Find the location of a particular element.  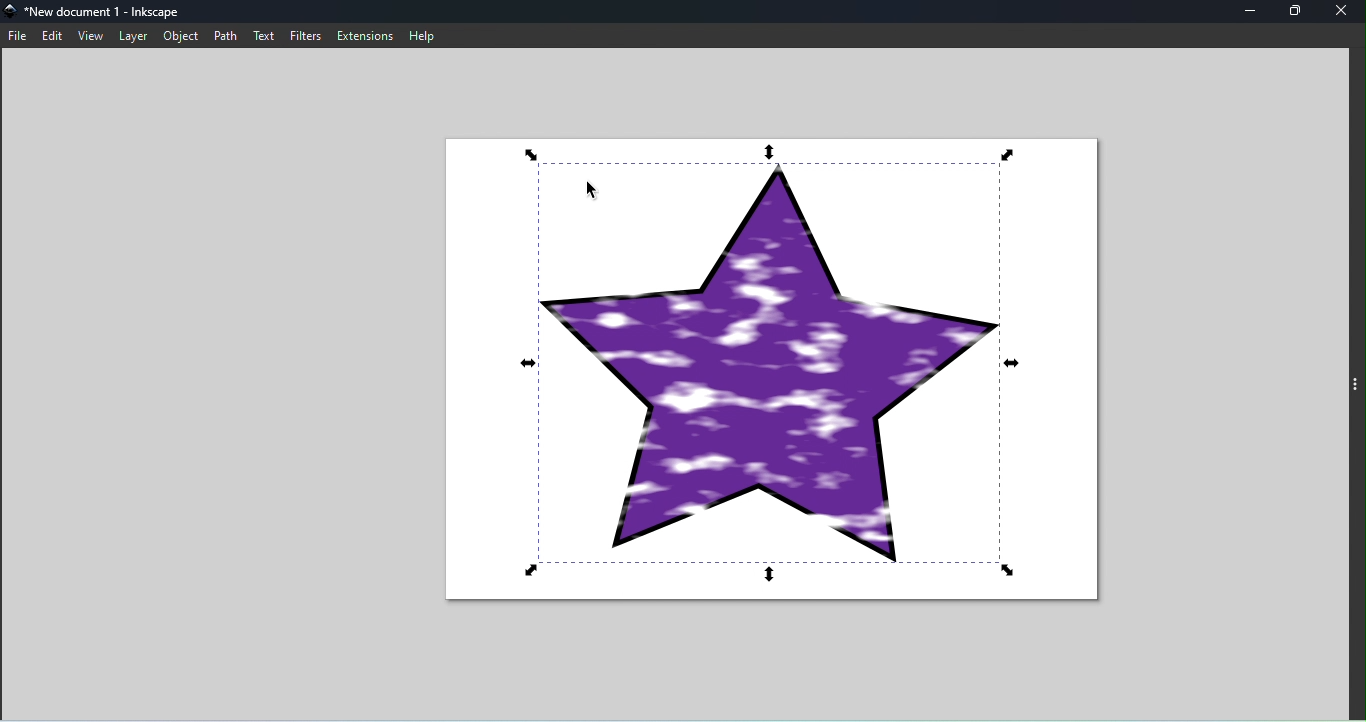

minimize is located at coordinates (1250, 12).